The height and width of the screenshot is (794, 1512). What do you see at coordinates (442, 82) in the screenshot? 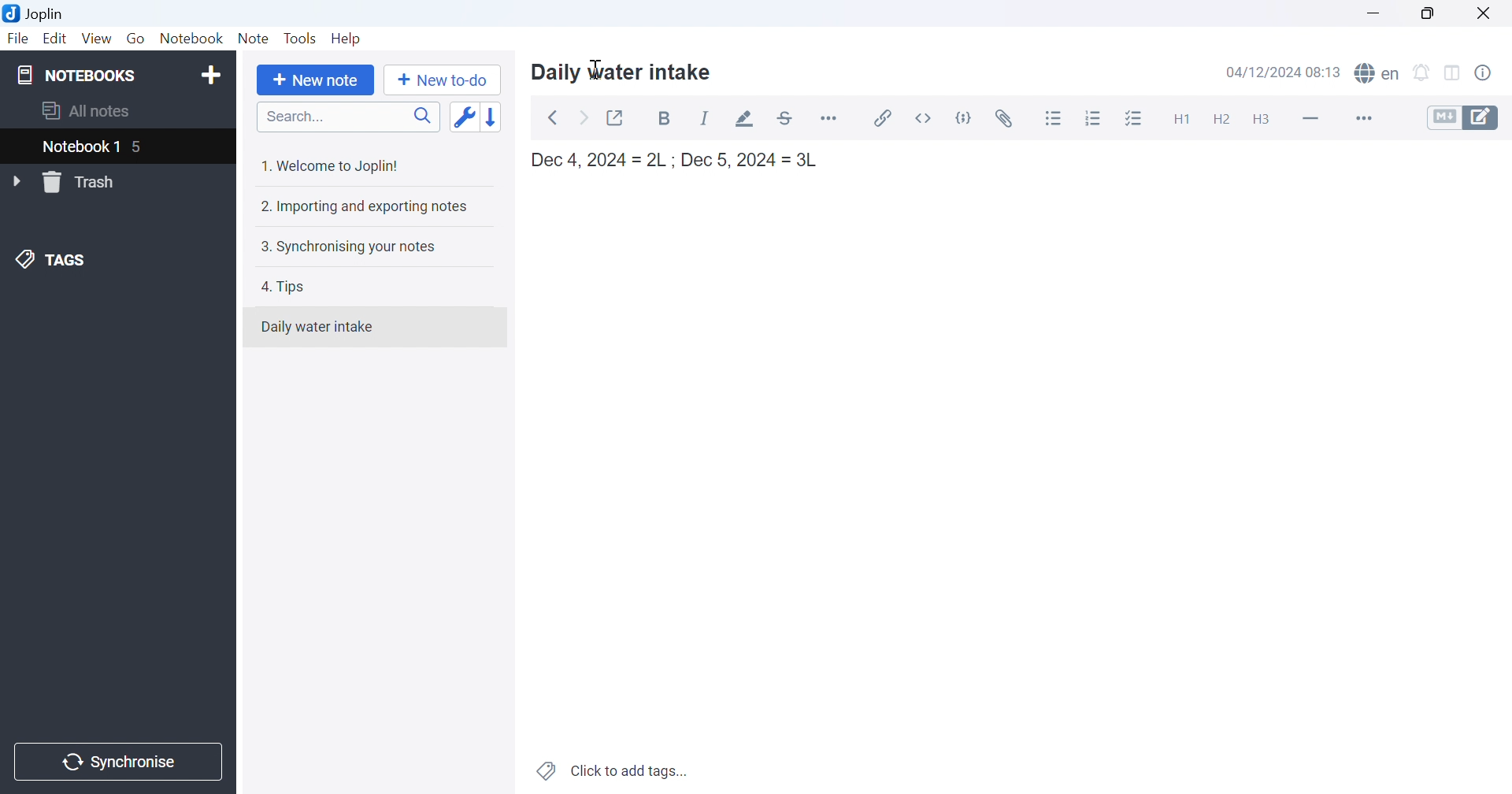
I see `New to-do` at bounding box center [442, 82].